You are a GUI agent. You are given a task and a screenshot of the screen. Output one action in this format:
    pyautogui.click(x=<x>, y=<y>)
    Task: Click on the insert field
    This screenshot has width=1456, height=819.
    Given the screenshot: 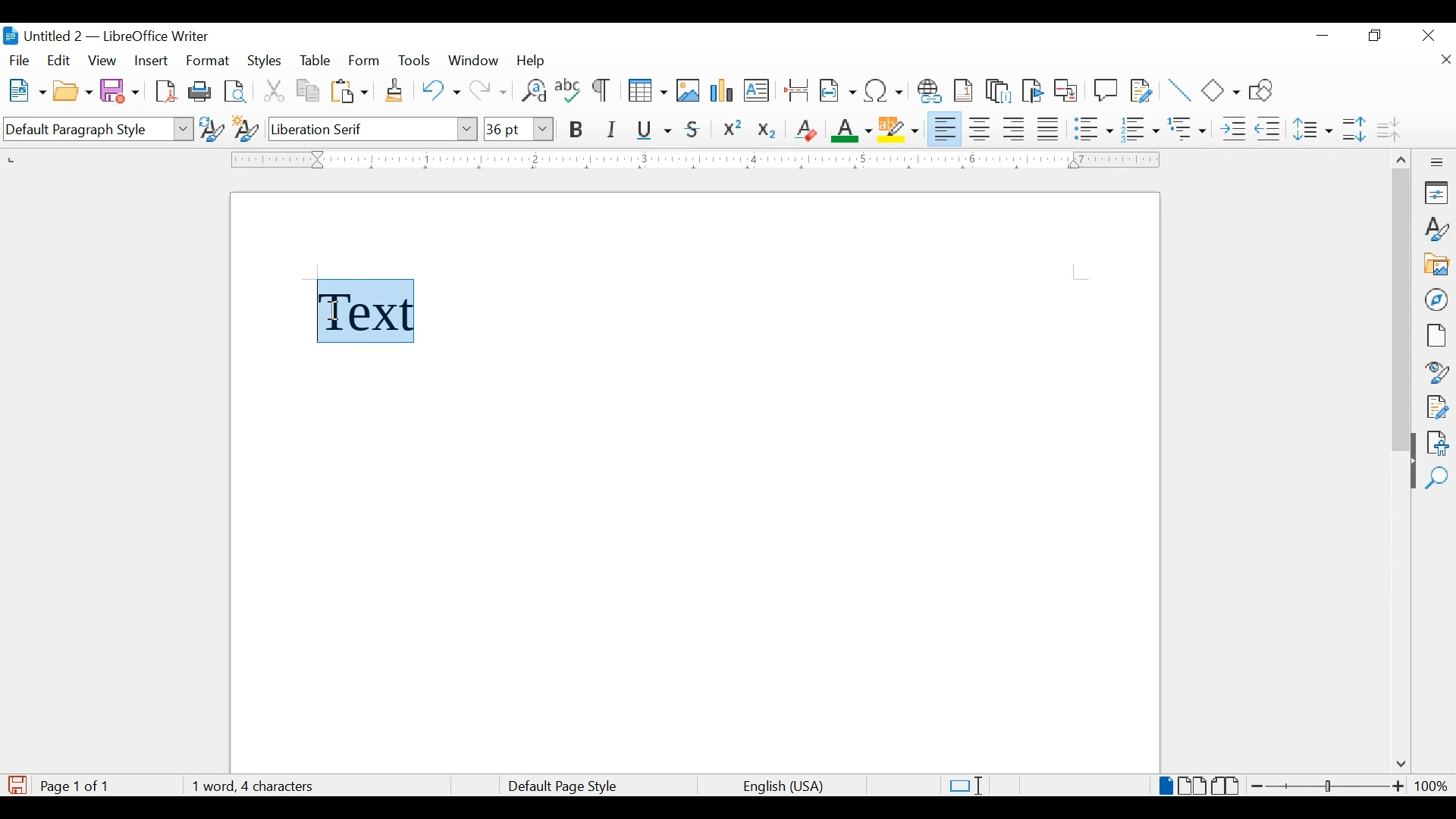 What is the action you would take?
    pyautogui.click(x=838, y=90)
    